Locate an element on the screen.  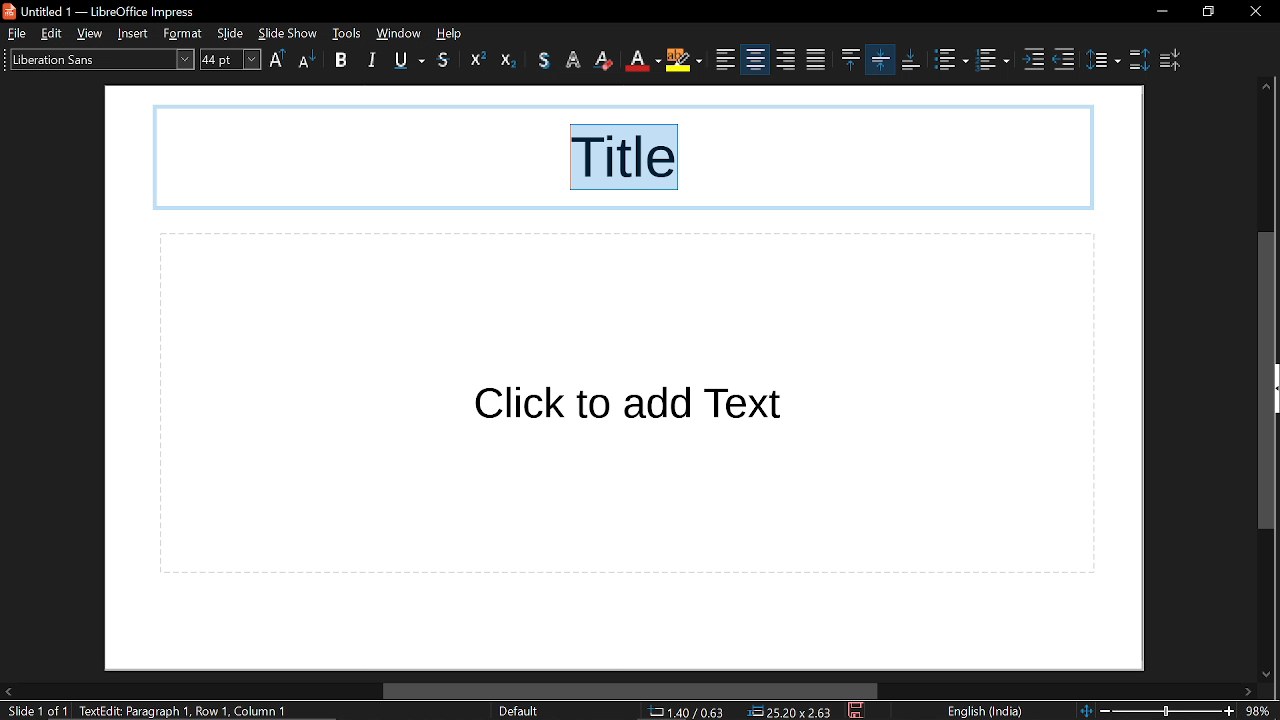
horizontal scrollbar is located at coordinates (630, 692).